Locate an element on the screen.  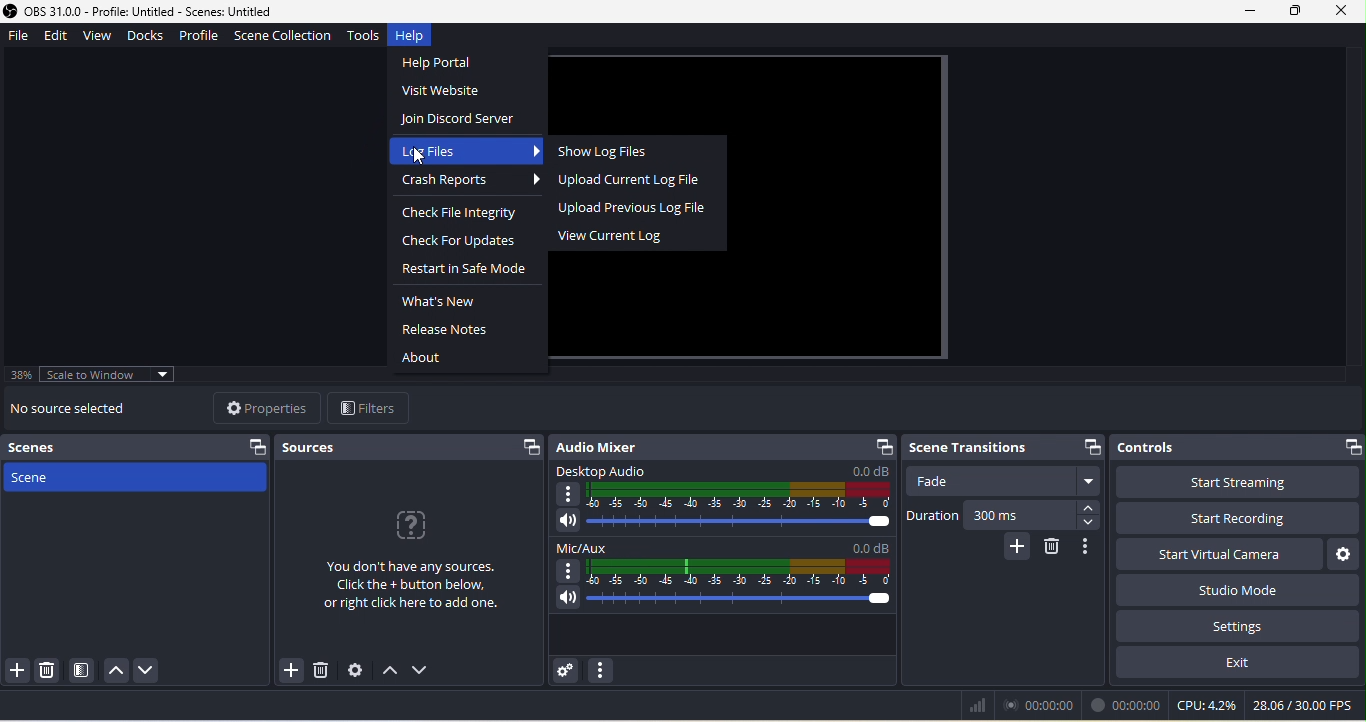
studio mode is located at coordinates (1237, 591).